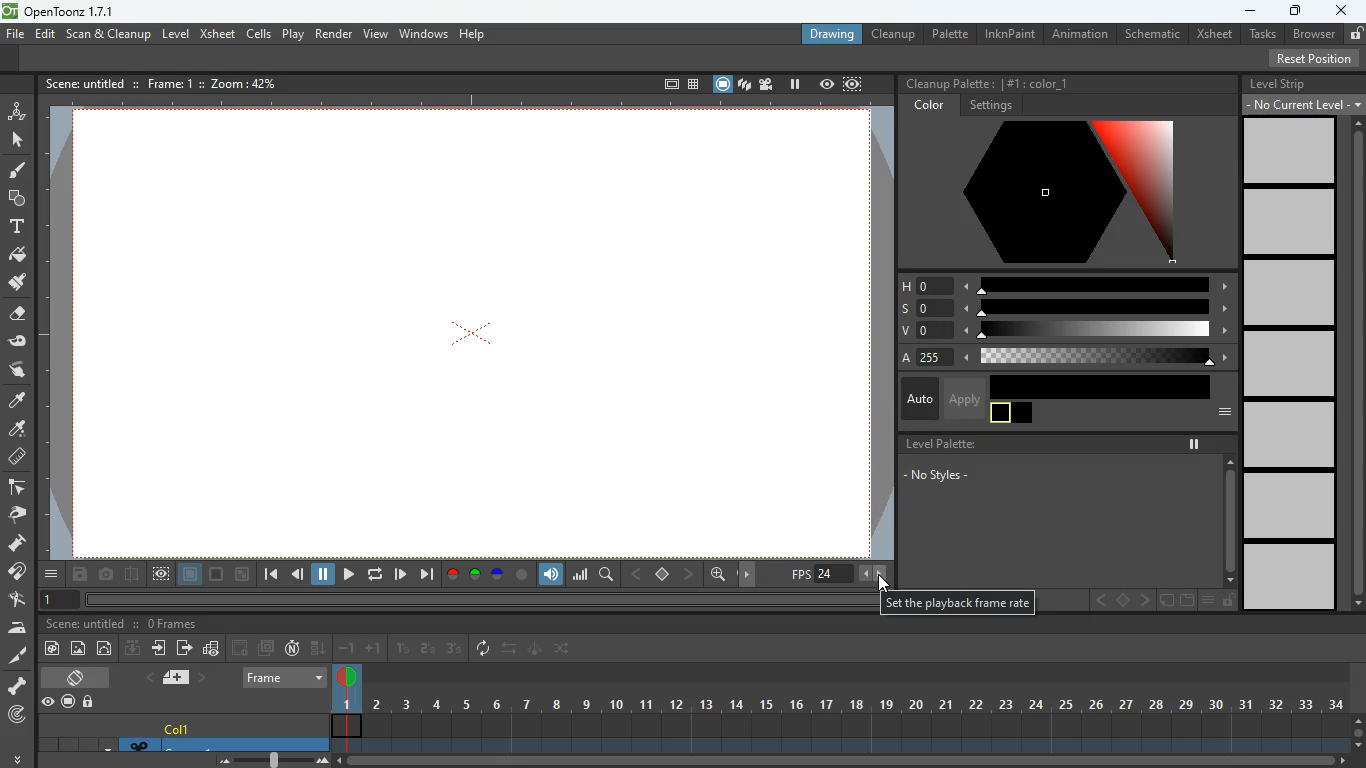  What do you see at coordinates (1264, 33) in the screenshot?
I see `tasks` at bounding box center [1264, 33].